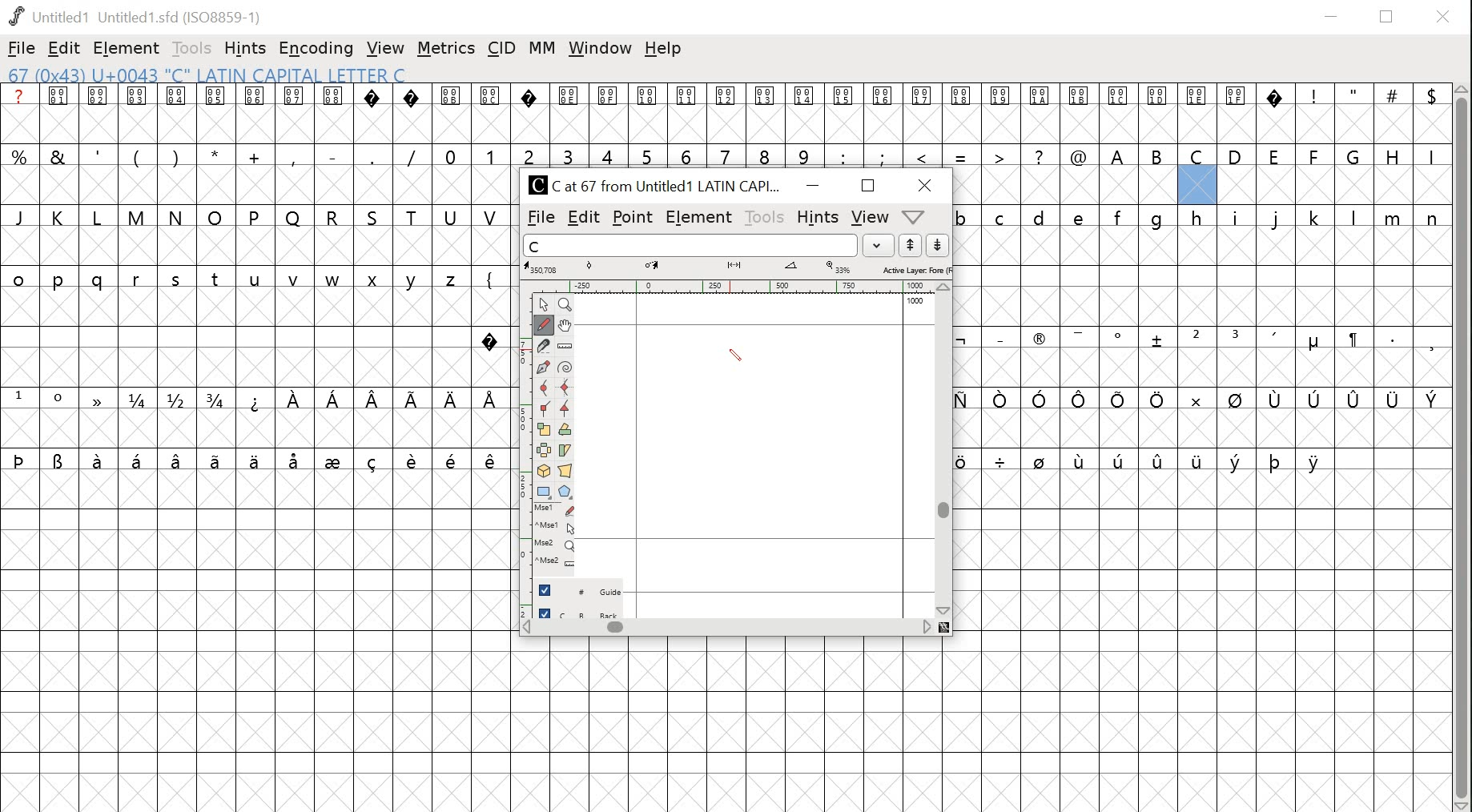 The image size is (1472, 812). Describe the element at coordinates (315, 50) in the screenshot. I see `encoding` at that location.